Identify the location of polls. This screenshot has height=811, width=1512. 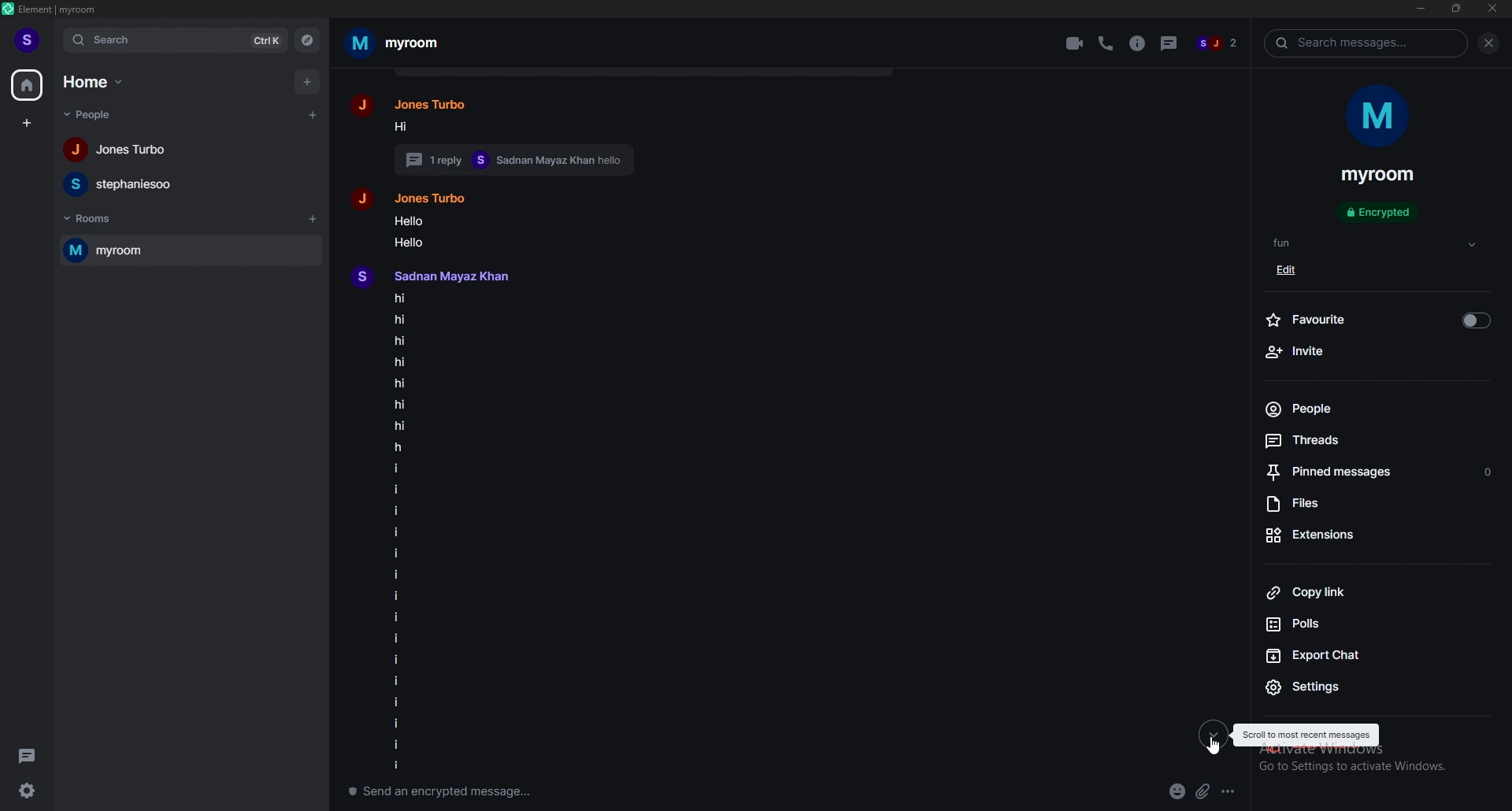
(1352, 622).